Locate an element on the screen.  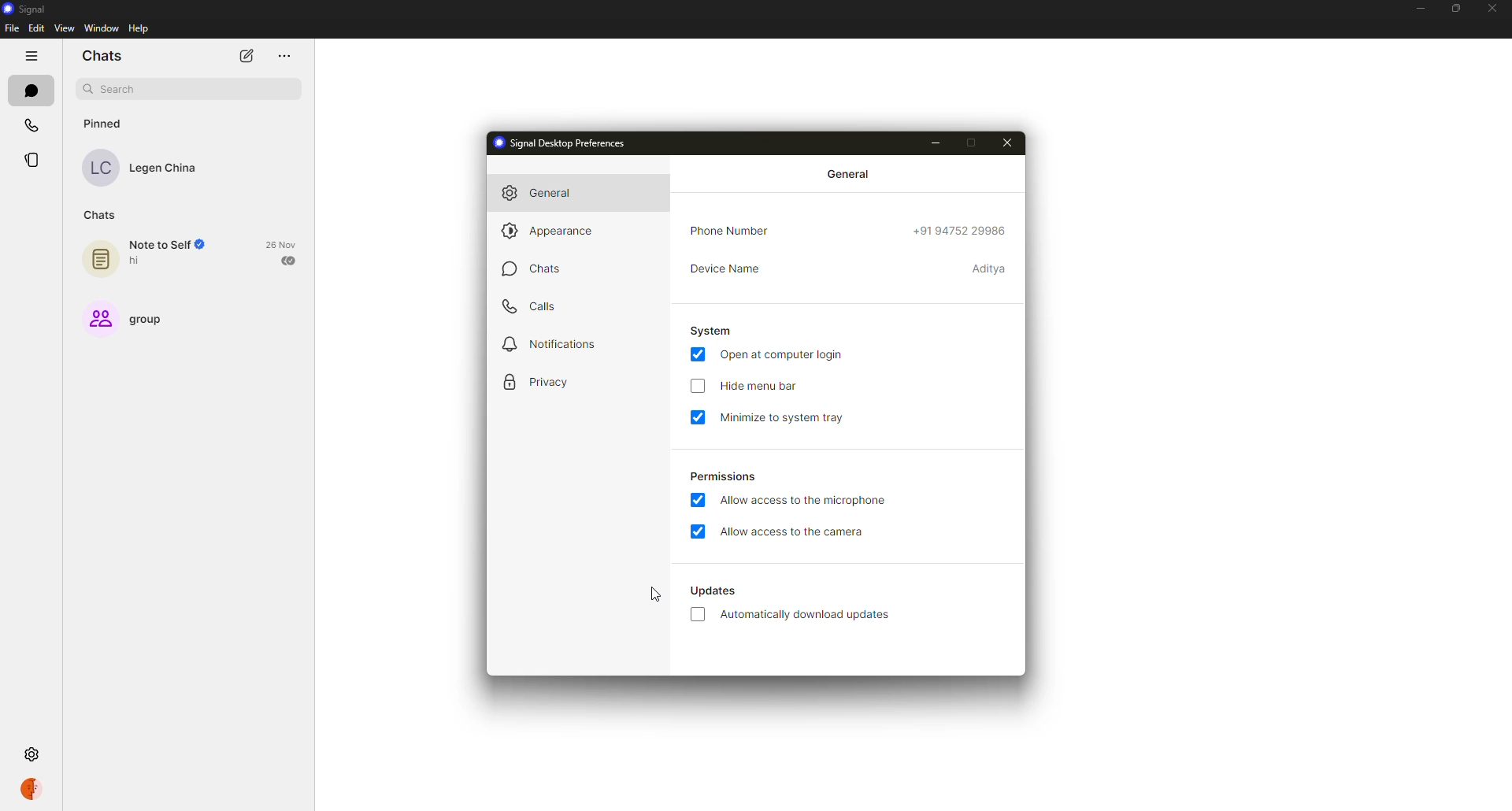
phone number is located at coordinates (962, 231).